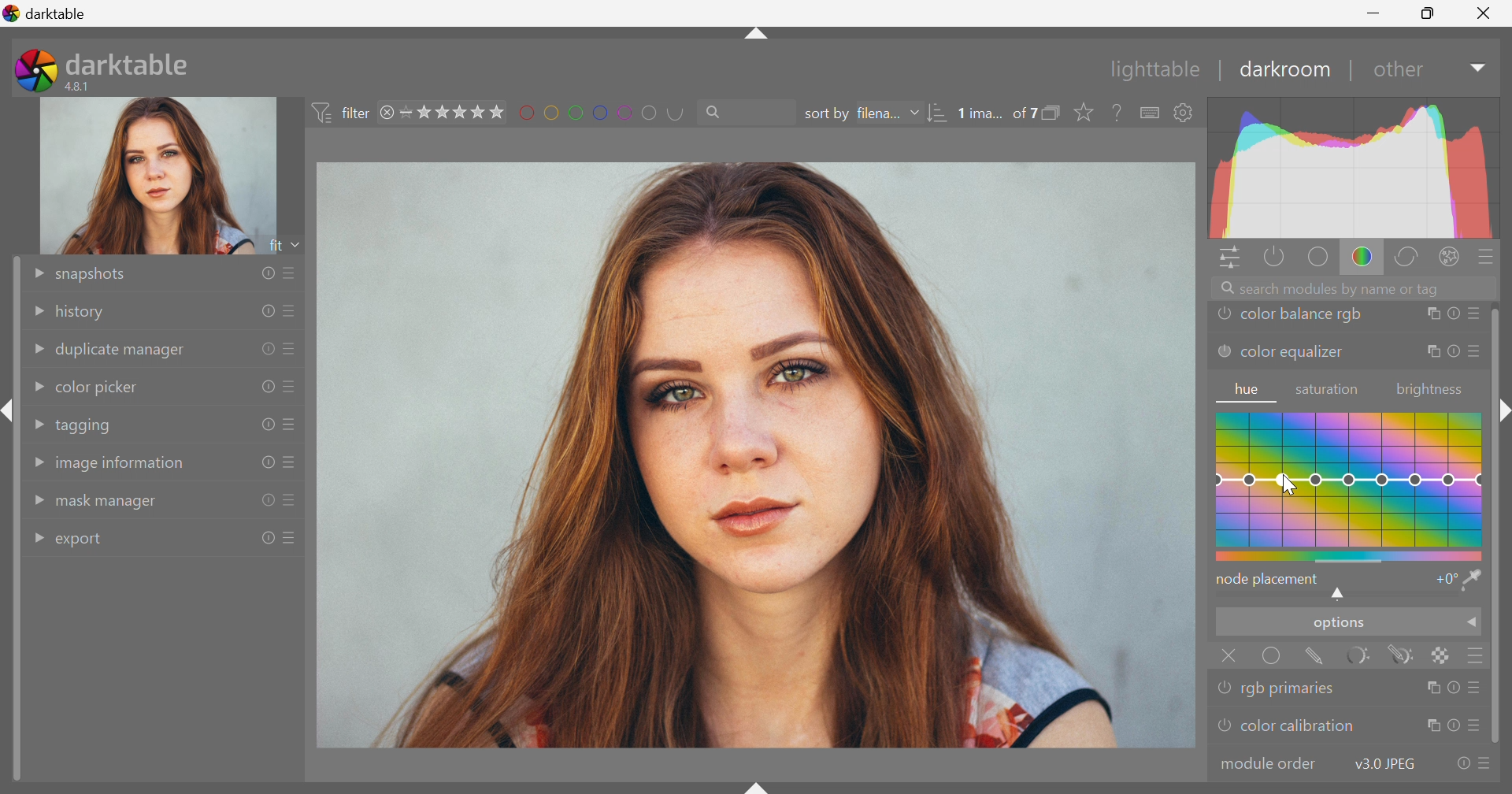  I want to click on tagging, so click(86, 426).